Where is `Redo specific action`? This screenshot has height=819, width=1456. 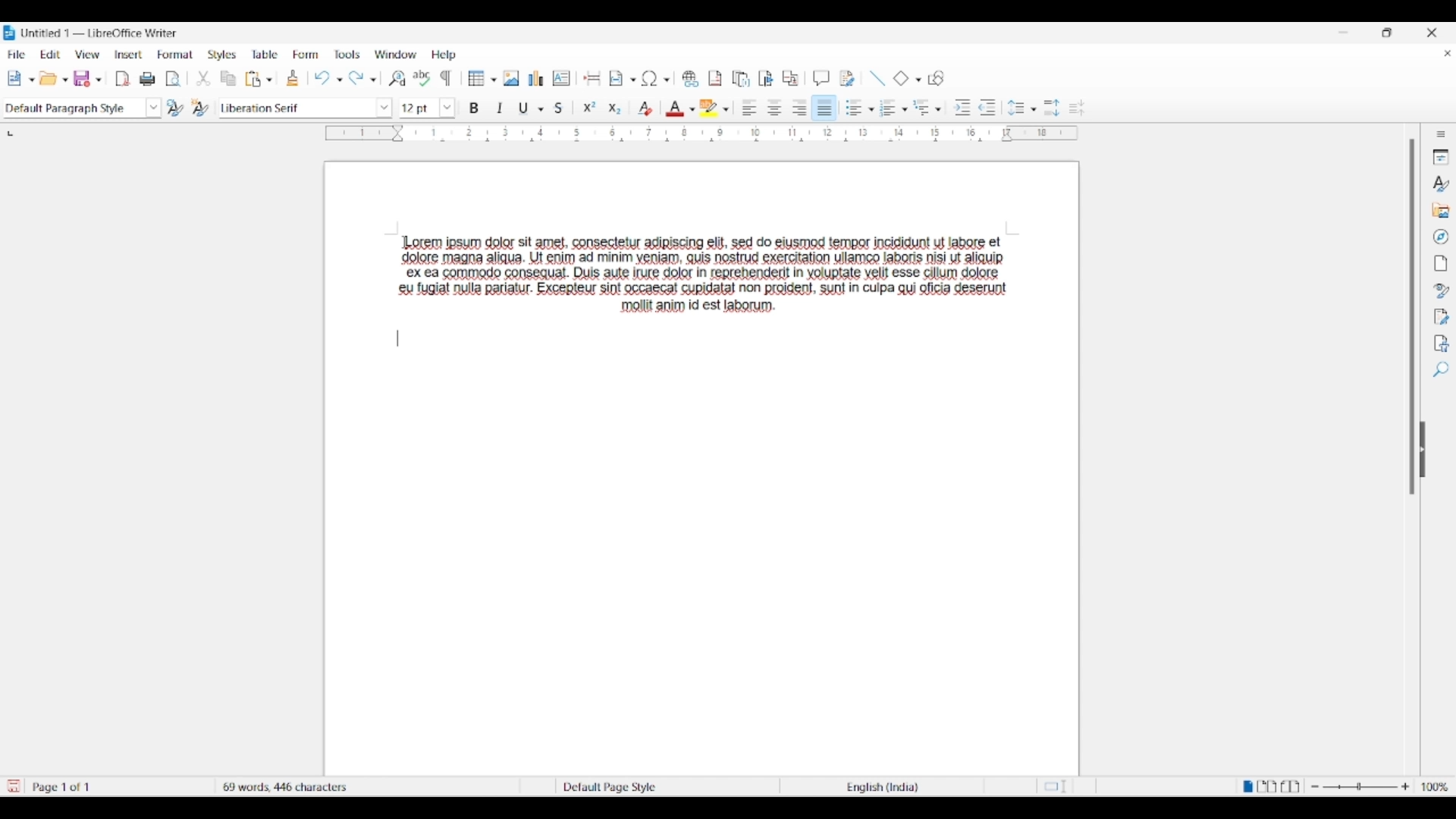 Redo specific action is located at coordinates (373, 80).